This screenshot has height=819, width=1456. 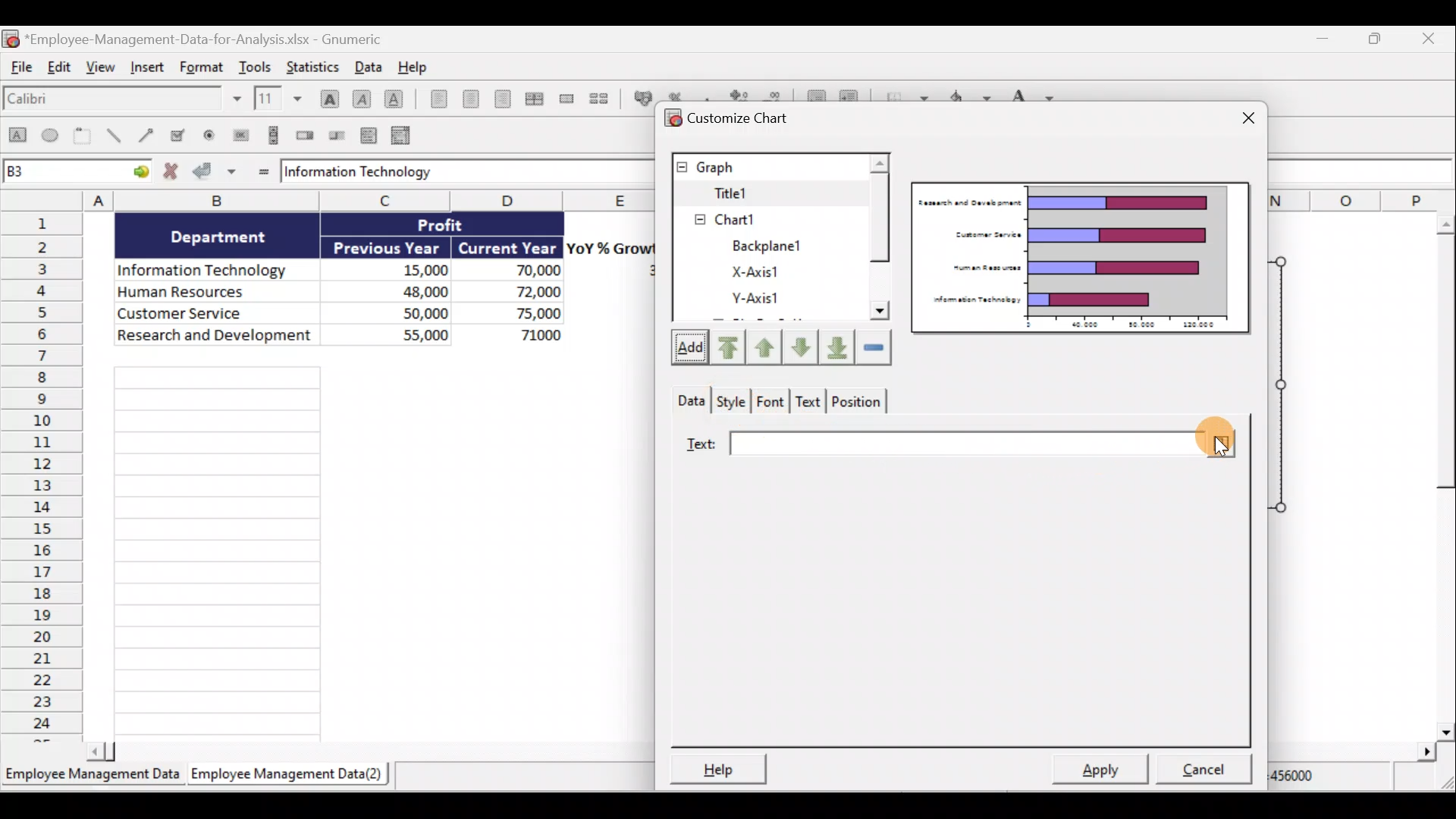 I want to click on Split merged range of cells, so click(x=599, y=98).